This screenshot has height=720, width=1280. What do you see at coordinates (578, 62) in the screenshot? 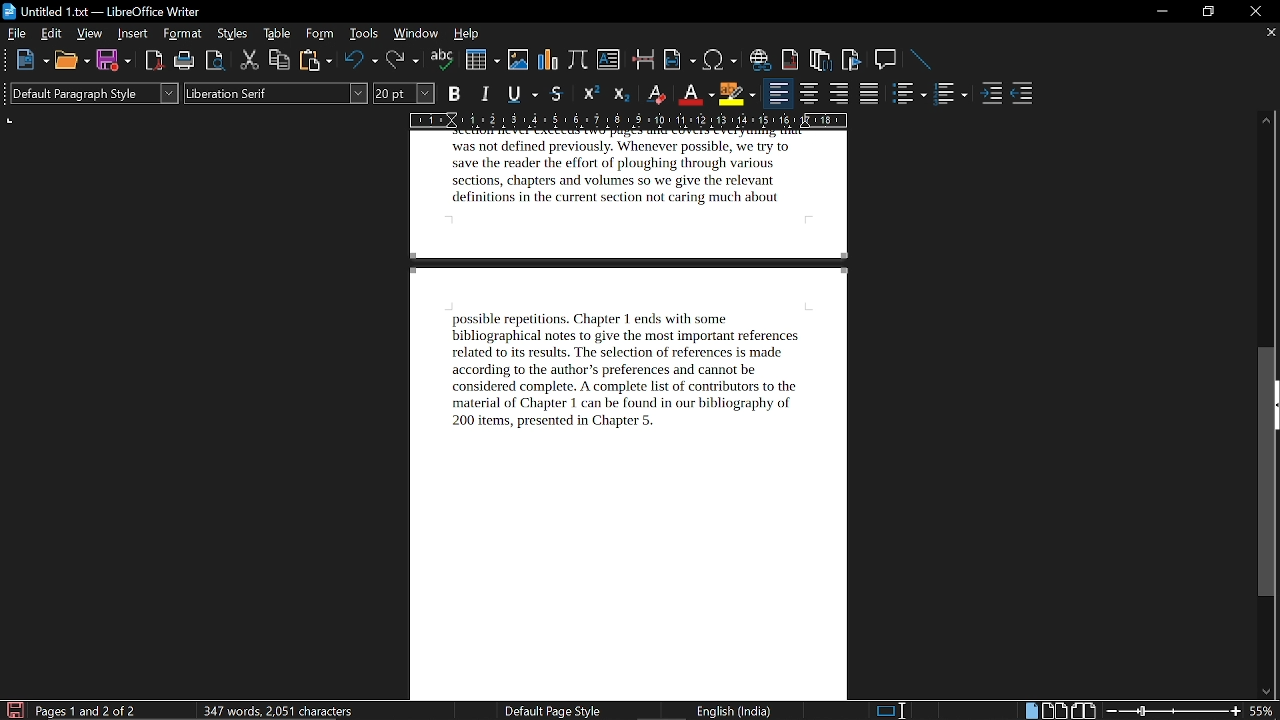
I see `insert formula` at bounding box center [578, 62].